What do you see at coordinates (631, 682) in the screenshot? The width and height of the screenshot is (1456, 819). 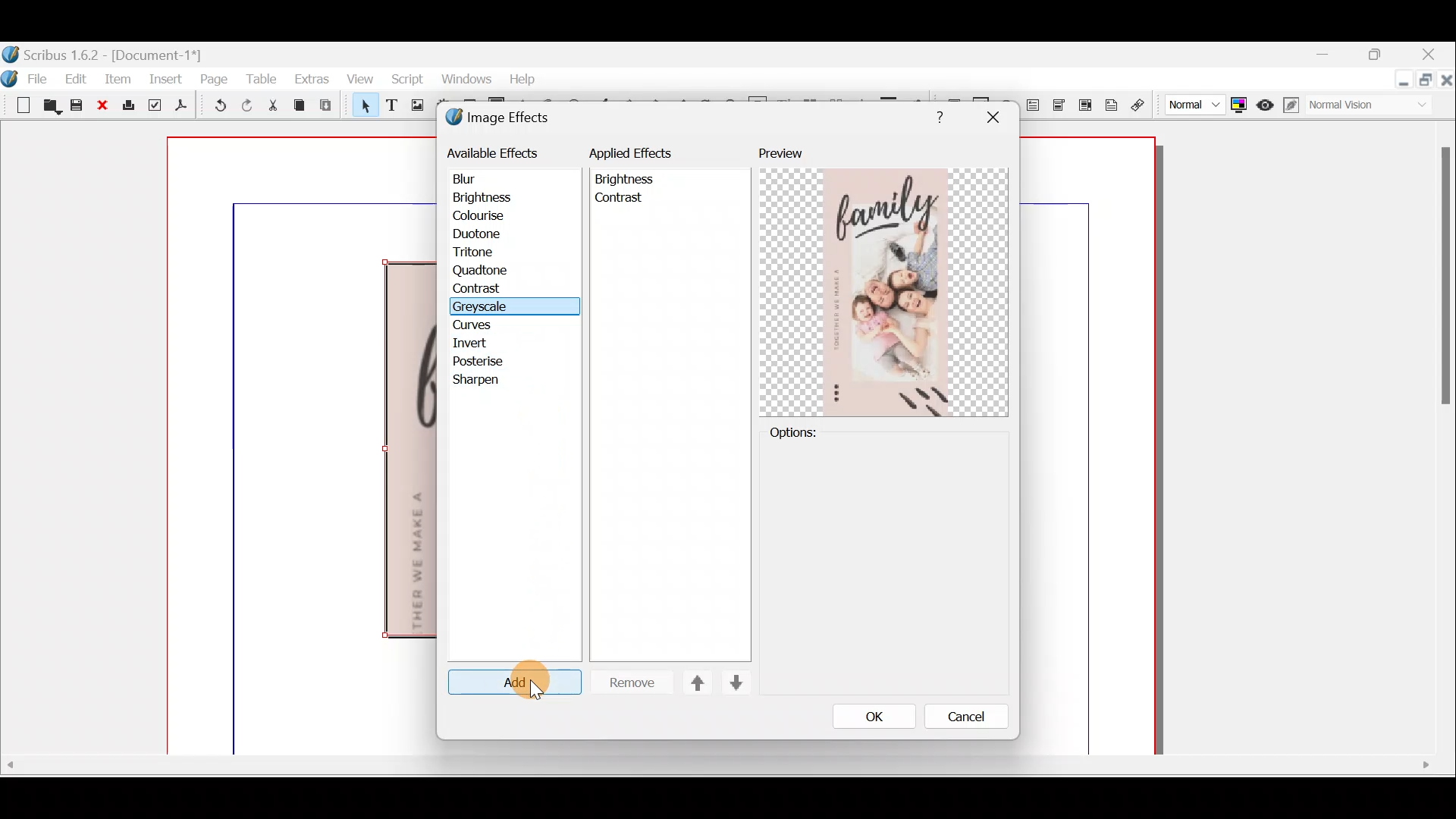 I see `Remove` at bounding box center [631, 682].